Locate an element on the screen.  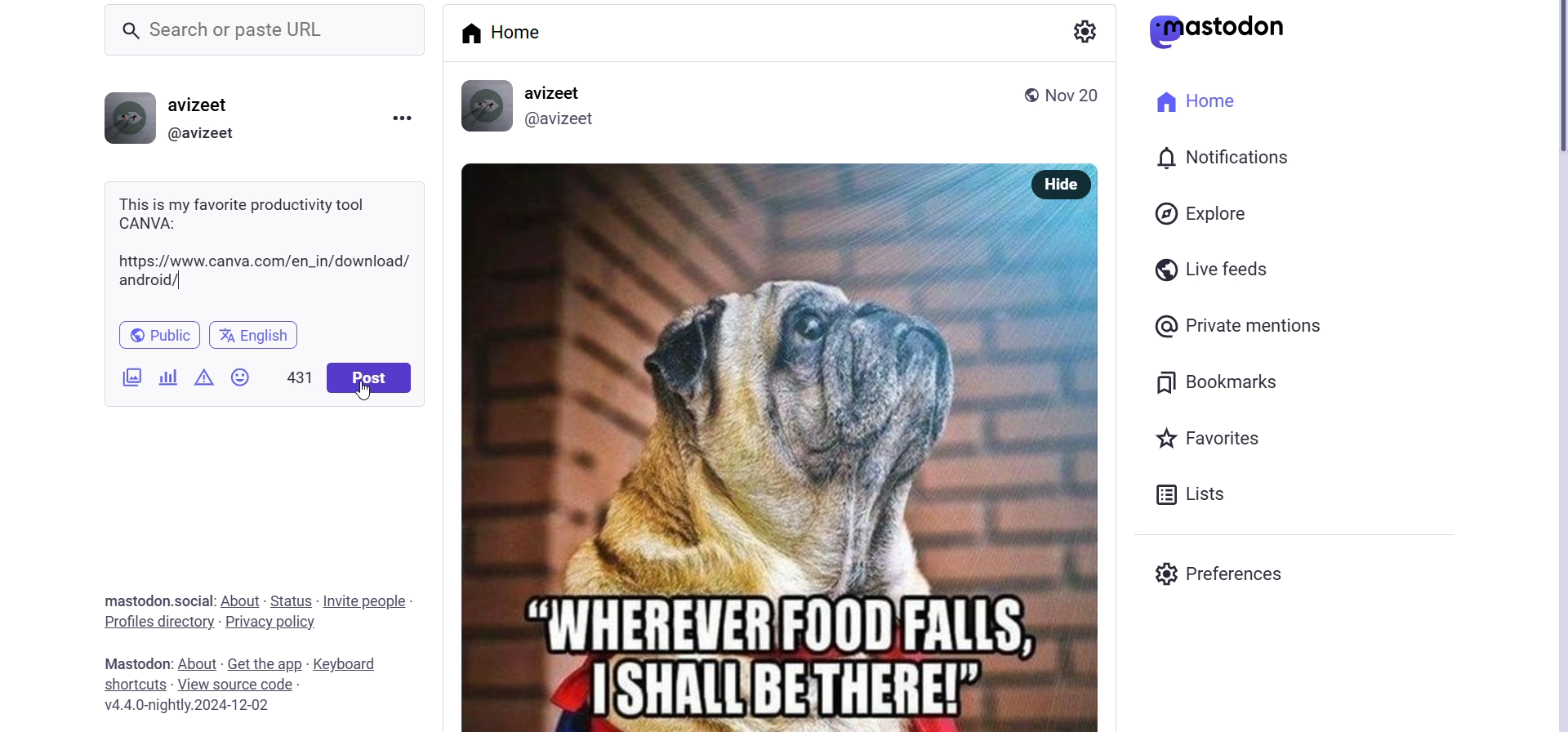
explore is located at coordinates (1214, 217).